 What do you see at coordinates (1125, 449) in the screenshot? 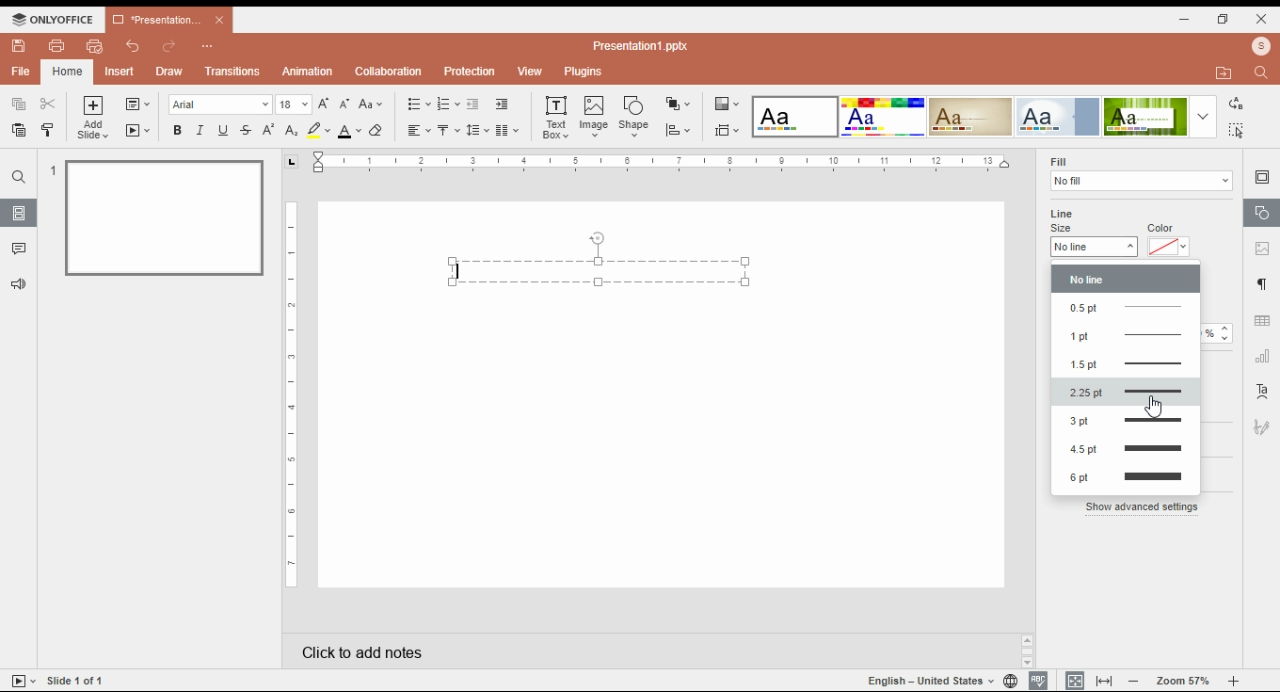
I see `4.5 pt` at bounding box center [1125, 449].